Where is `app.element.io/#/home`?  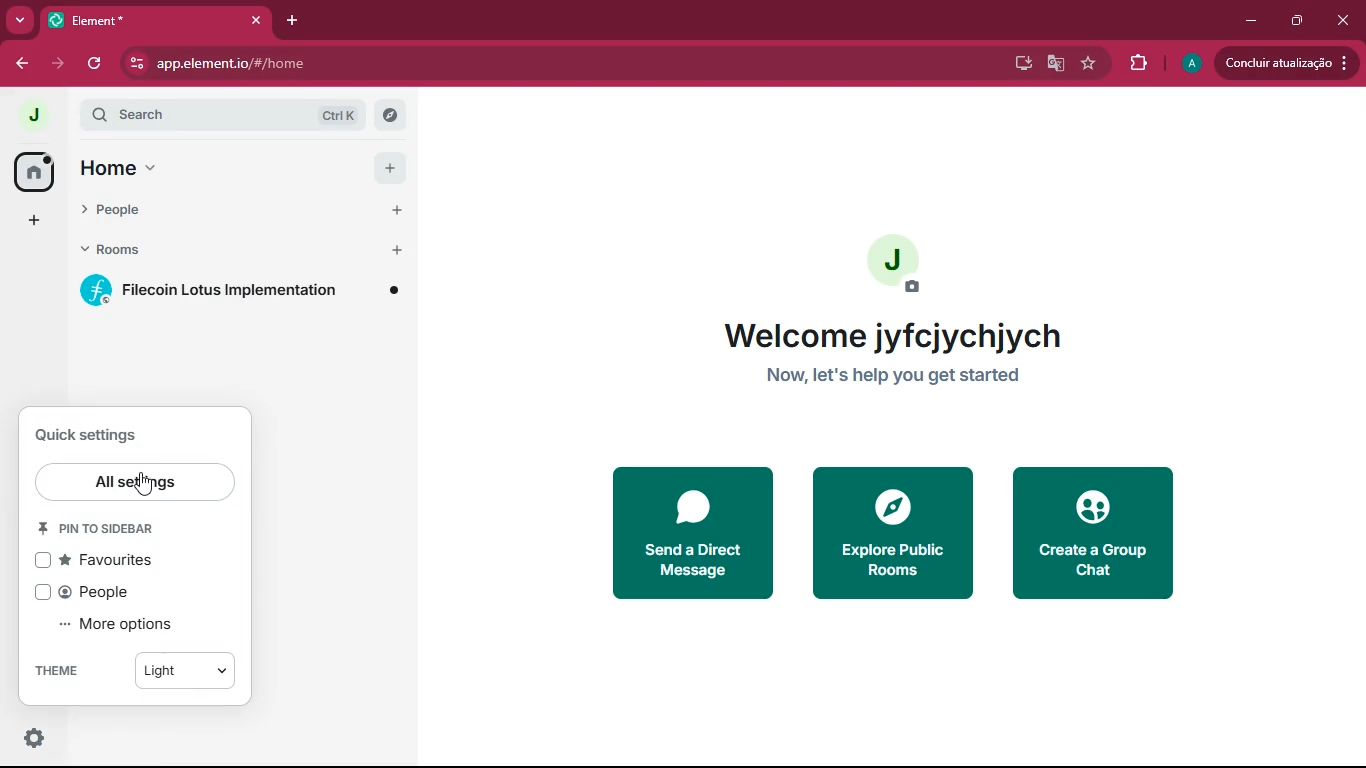 app.element.io/#/home is located at coordinates (390, 64).